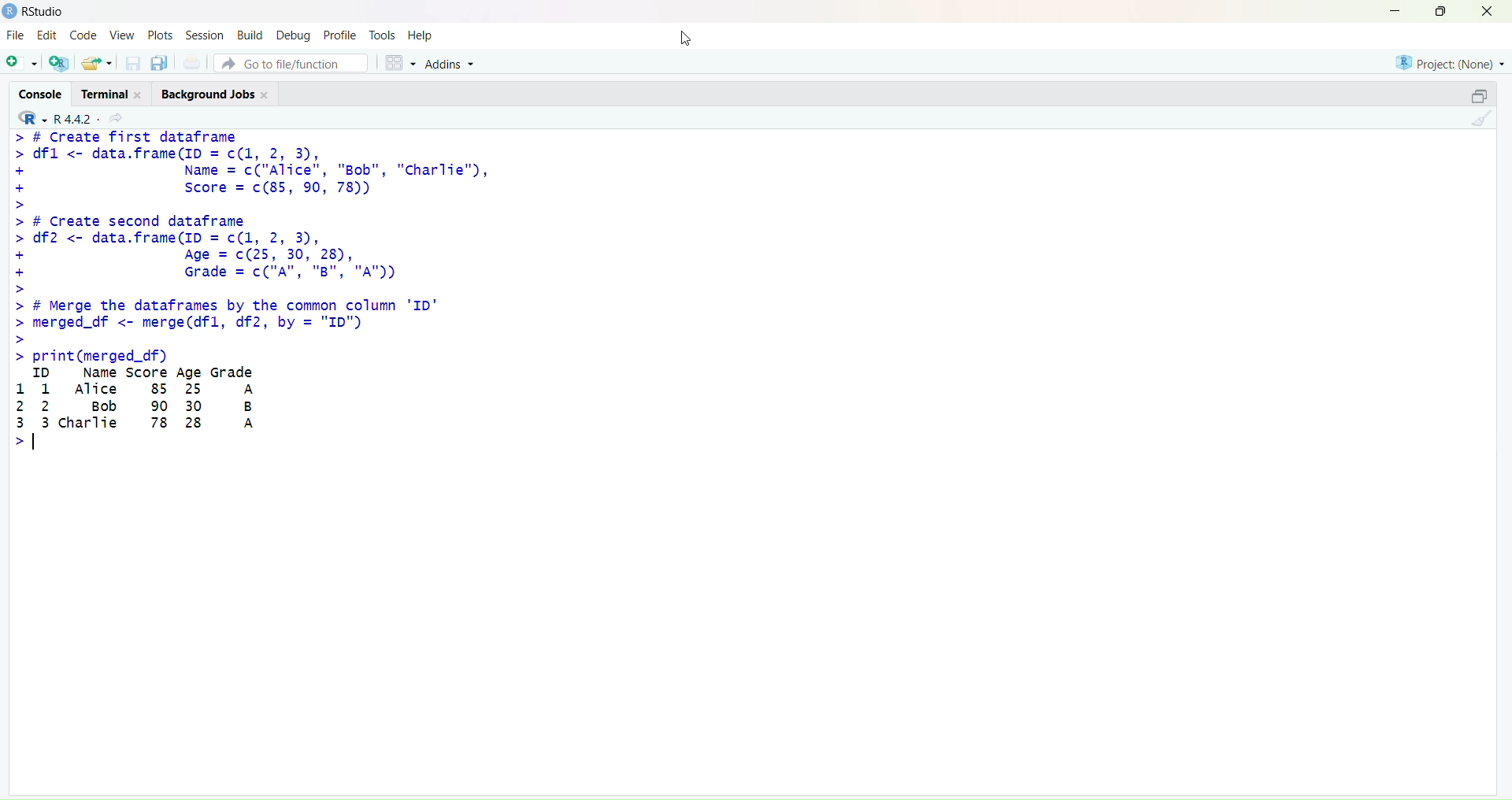 This screenshot has width=1512, height=800. I want to click on create a project, so click(60, 62).